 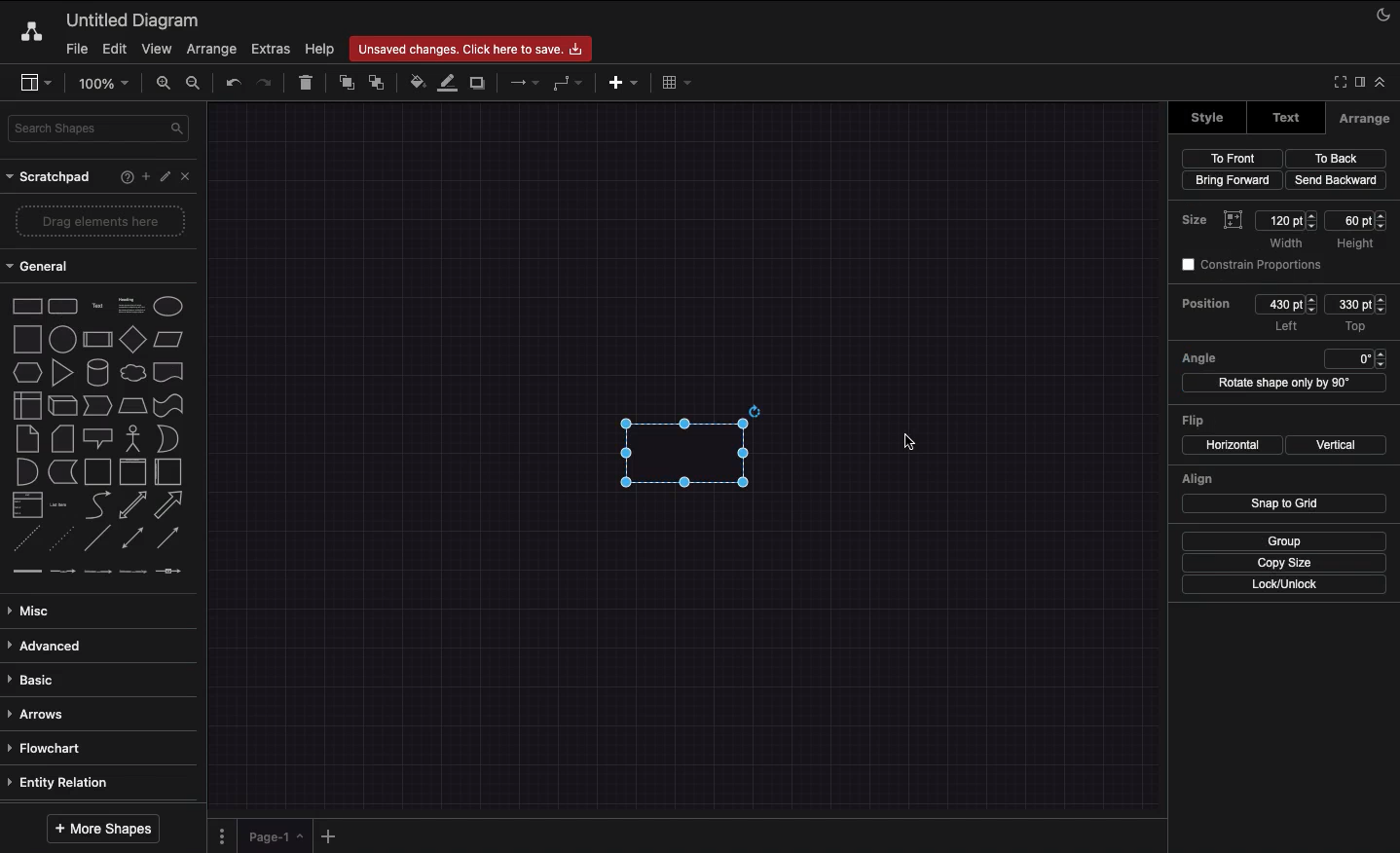 I want to click on Arrange, so click(x=1363, y=119).